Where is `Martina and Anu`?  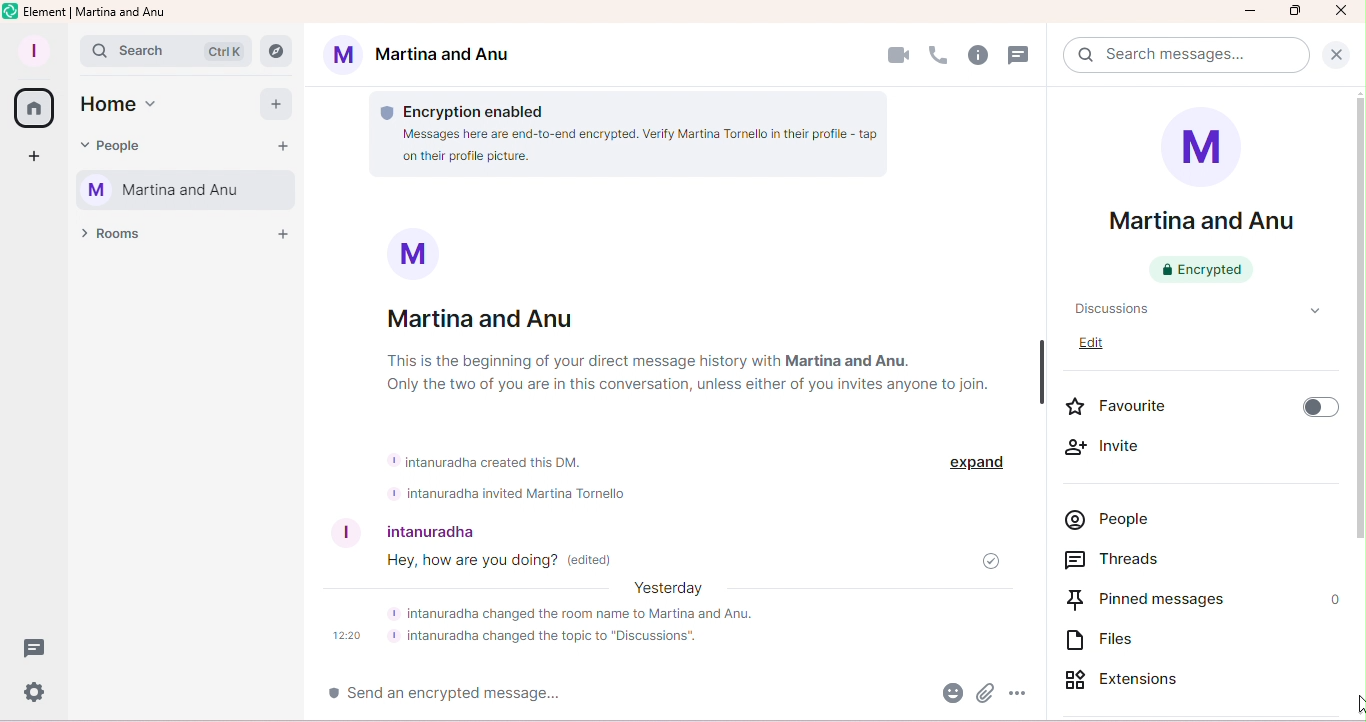
Martina and Anu is located at coordinates (182, 192).